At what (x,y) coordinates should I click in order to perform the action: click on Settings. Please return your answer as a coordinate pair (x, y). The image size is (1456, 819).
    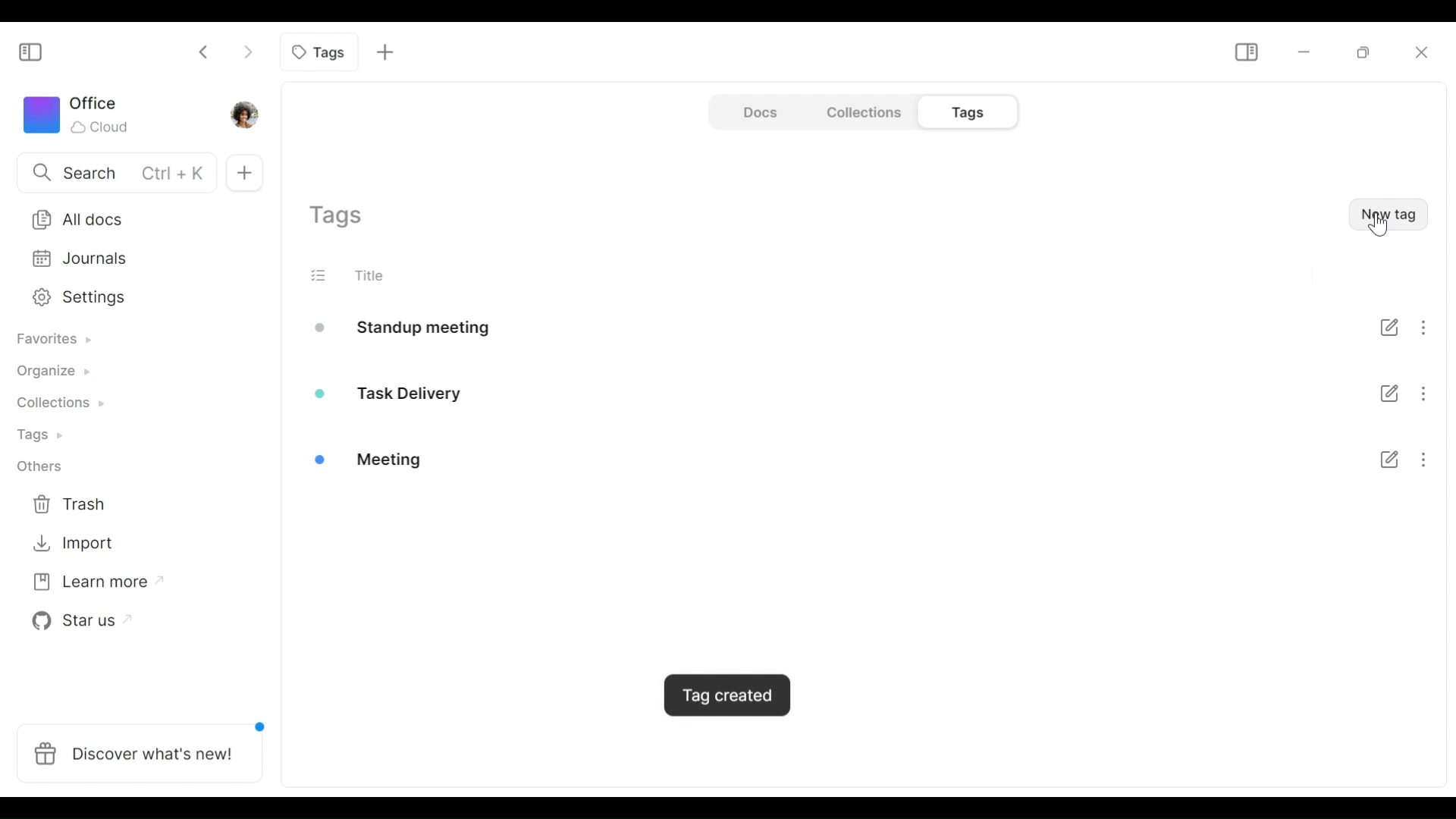
    Looking at the image, I should click on (131, 297).